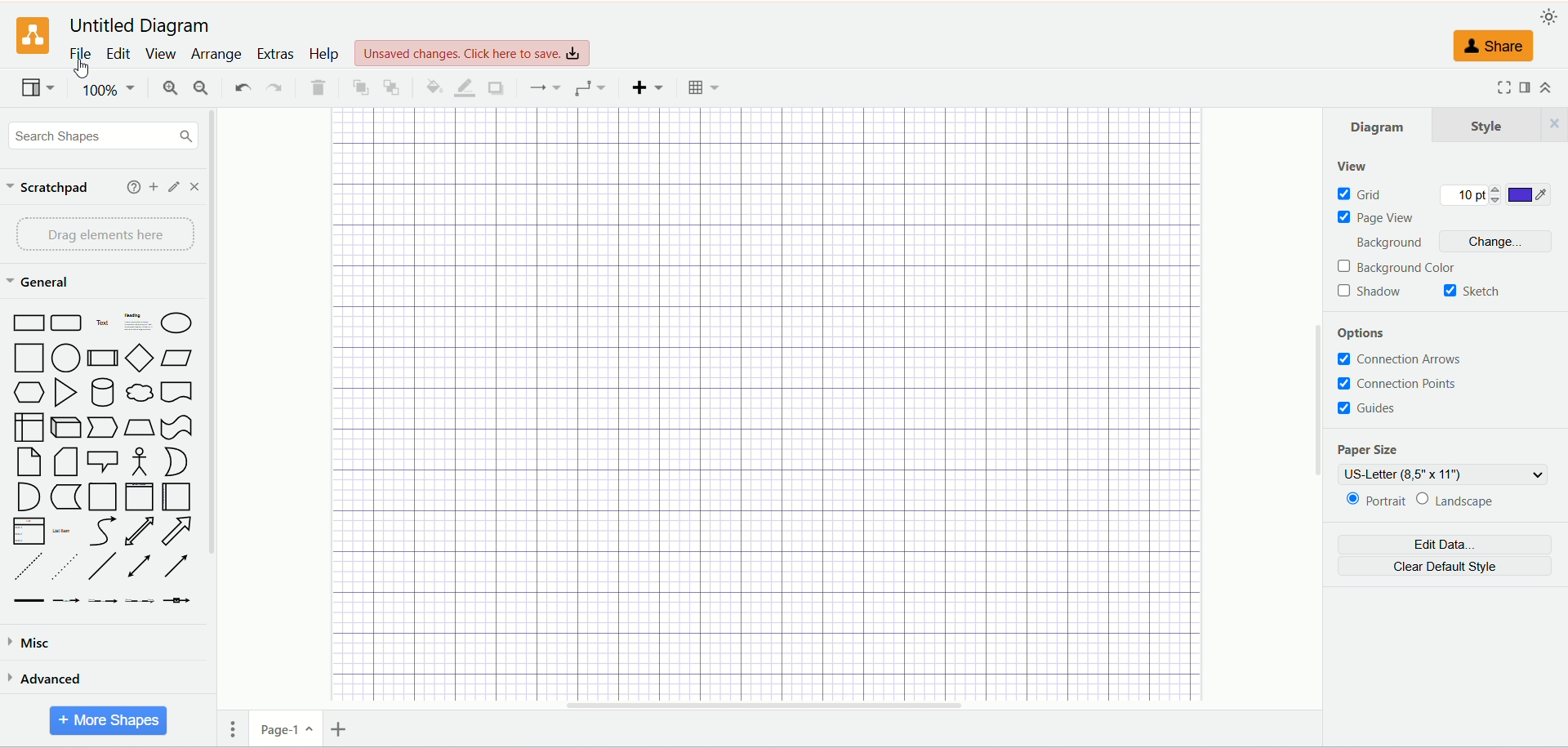 The height and width of the screenshot is (748, 1568). Describe the element at coordinates (120, 53) in the screenshot. I see `edit` at that location.